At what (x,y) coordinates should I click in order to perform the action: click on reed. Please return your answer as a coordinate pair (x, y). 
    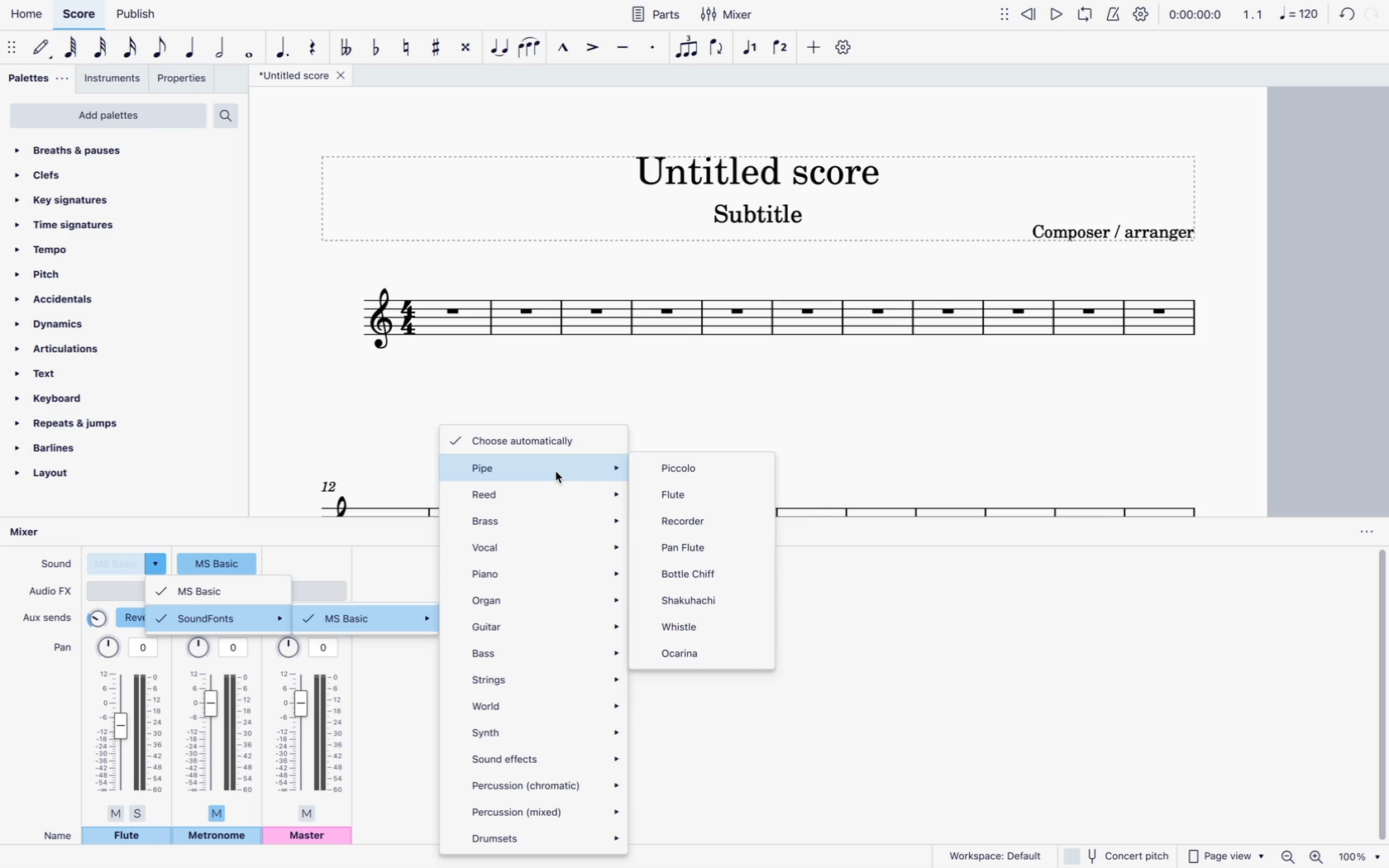
    Looking at the image, I should click on (542, 491).